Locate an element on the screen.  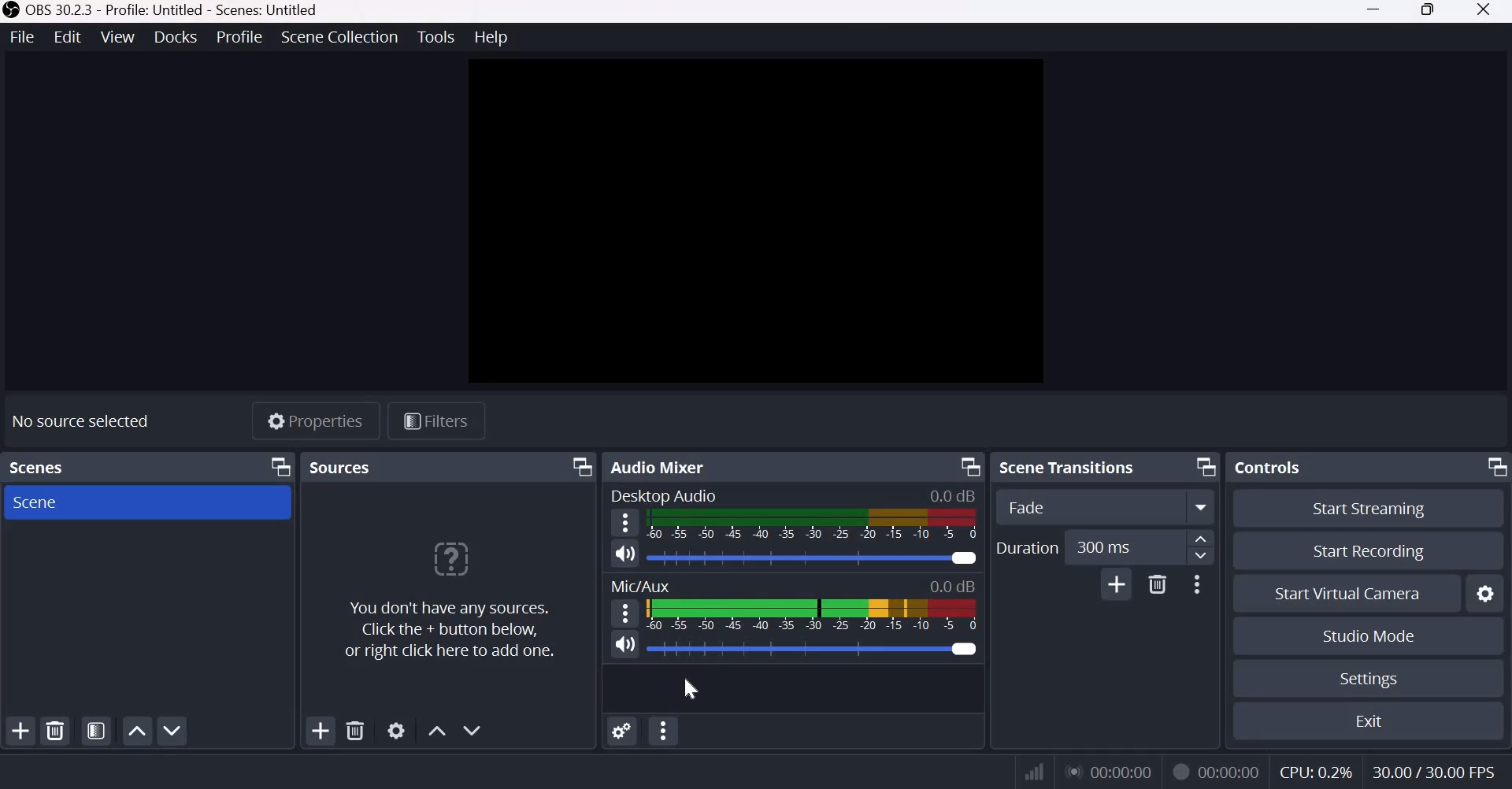
Transition Type Dropdown is located at coordinates (1102, 507).